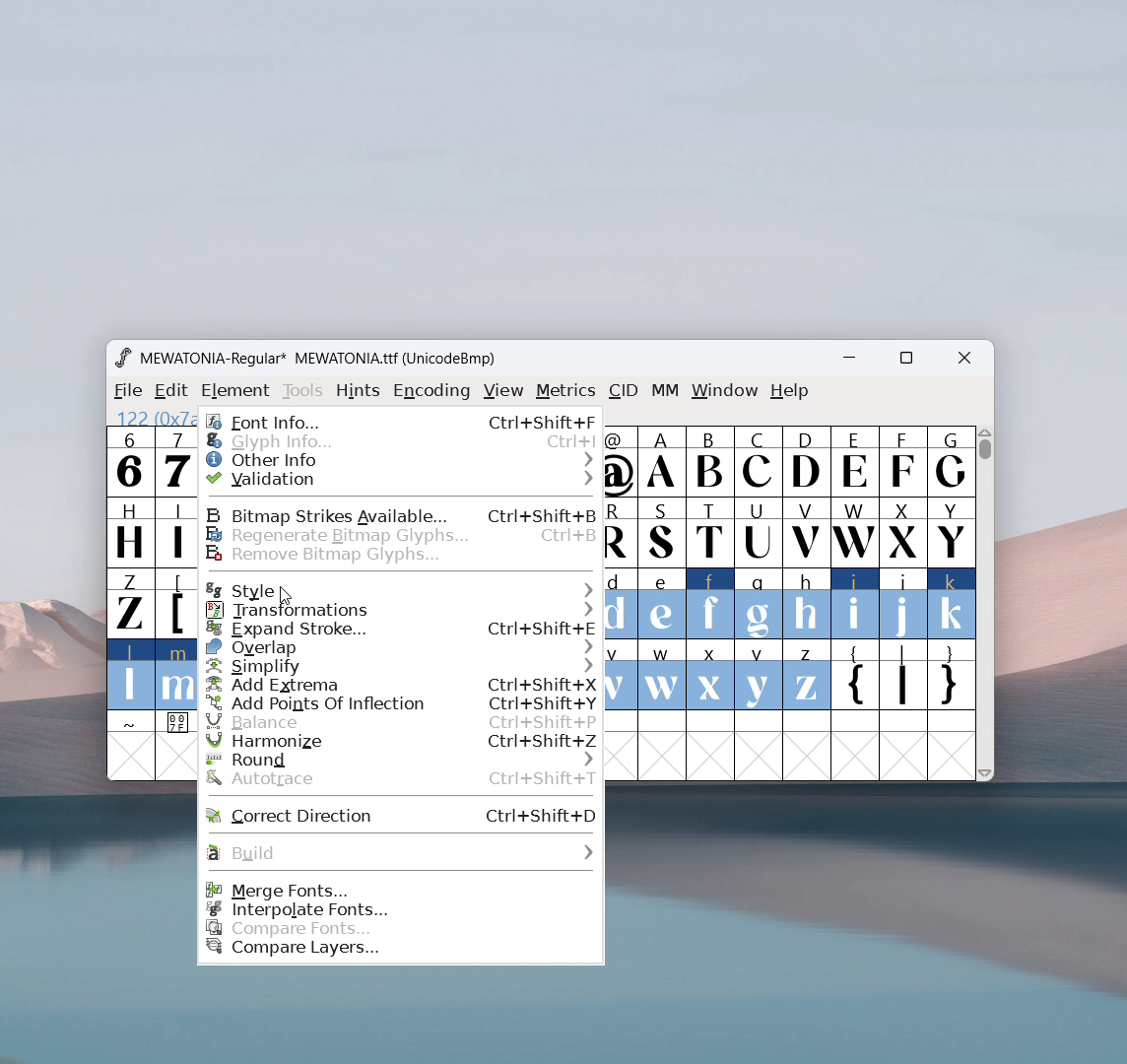  Describe the element at coordinates (400, 721) in the screenshot. I see `balance` at that location.